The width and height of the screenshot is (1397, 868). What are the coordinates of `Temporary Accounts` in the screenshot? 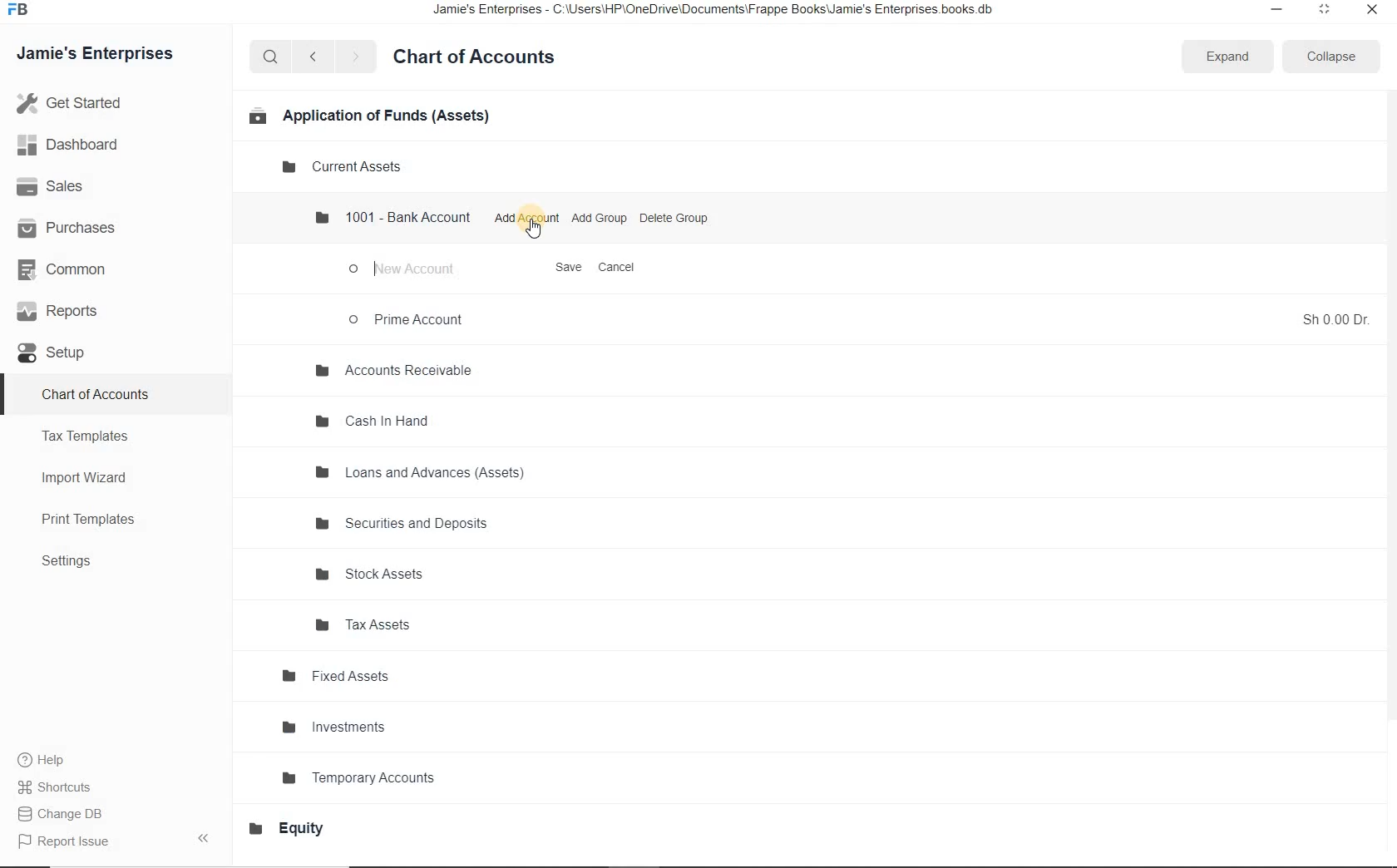 It's located at (365, 776).